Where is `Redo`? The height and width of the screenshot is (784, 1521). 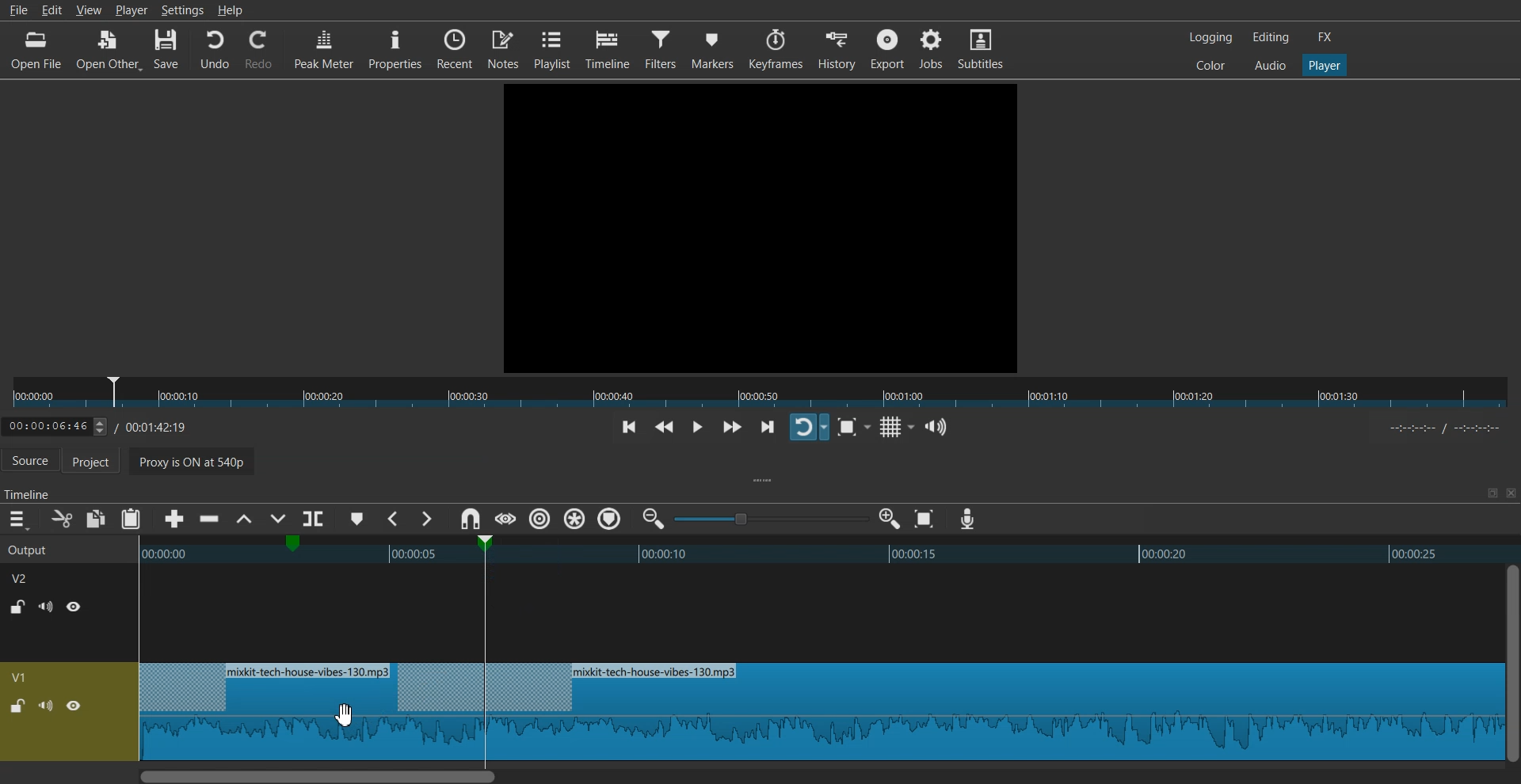
Redo is located at coordinates (259, 50).